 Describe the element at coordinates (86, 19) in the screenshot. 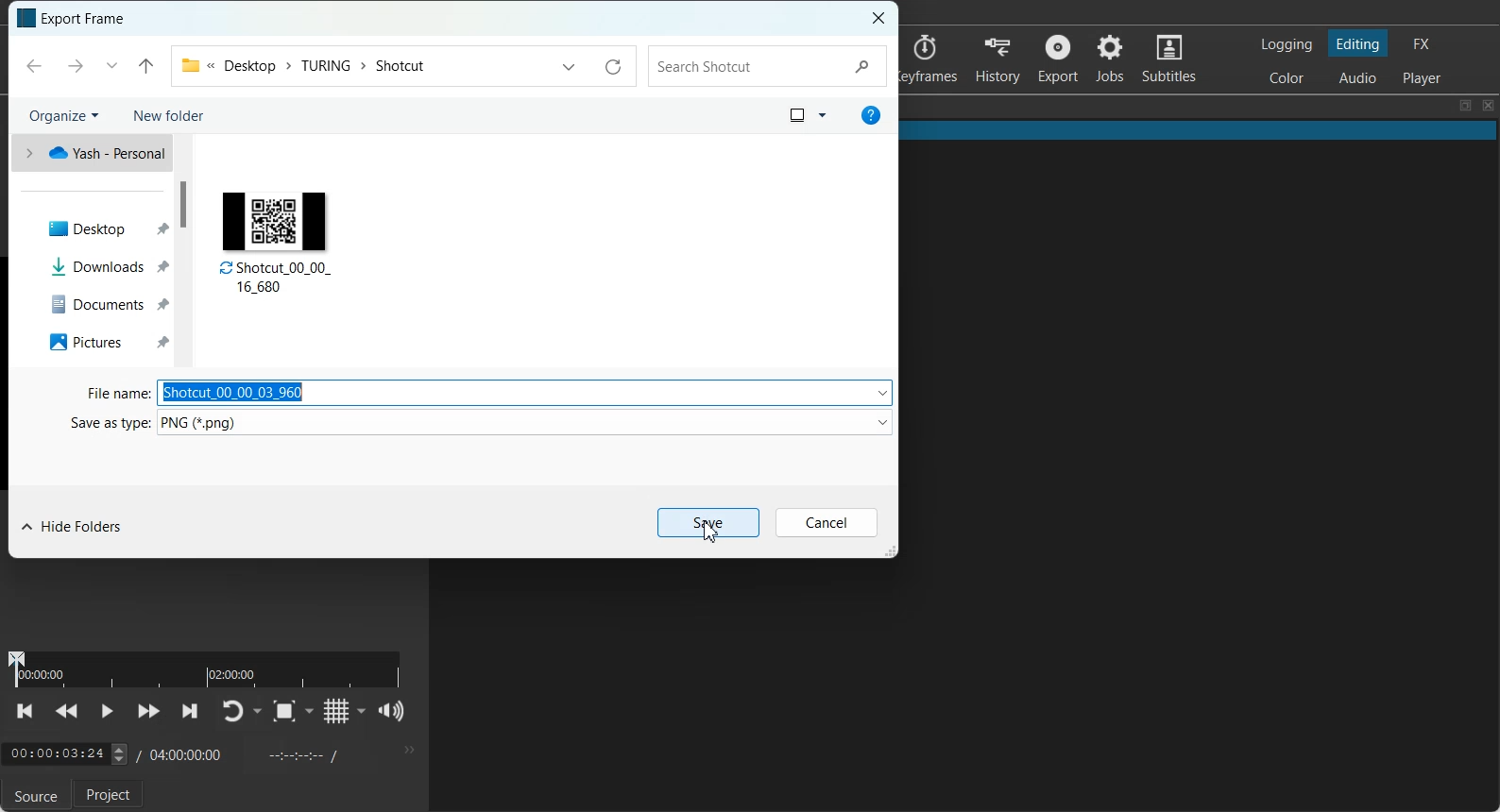

I see `Text` at that location.